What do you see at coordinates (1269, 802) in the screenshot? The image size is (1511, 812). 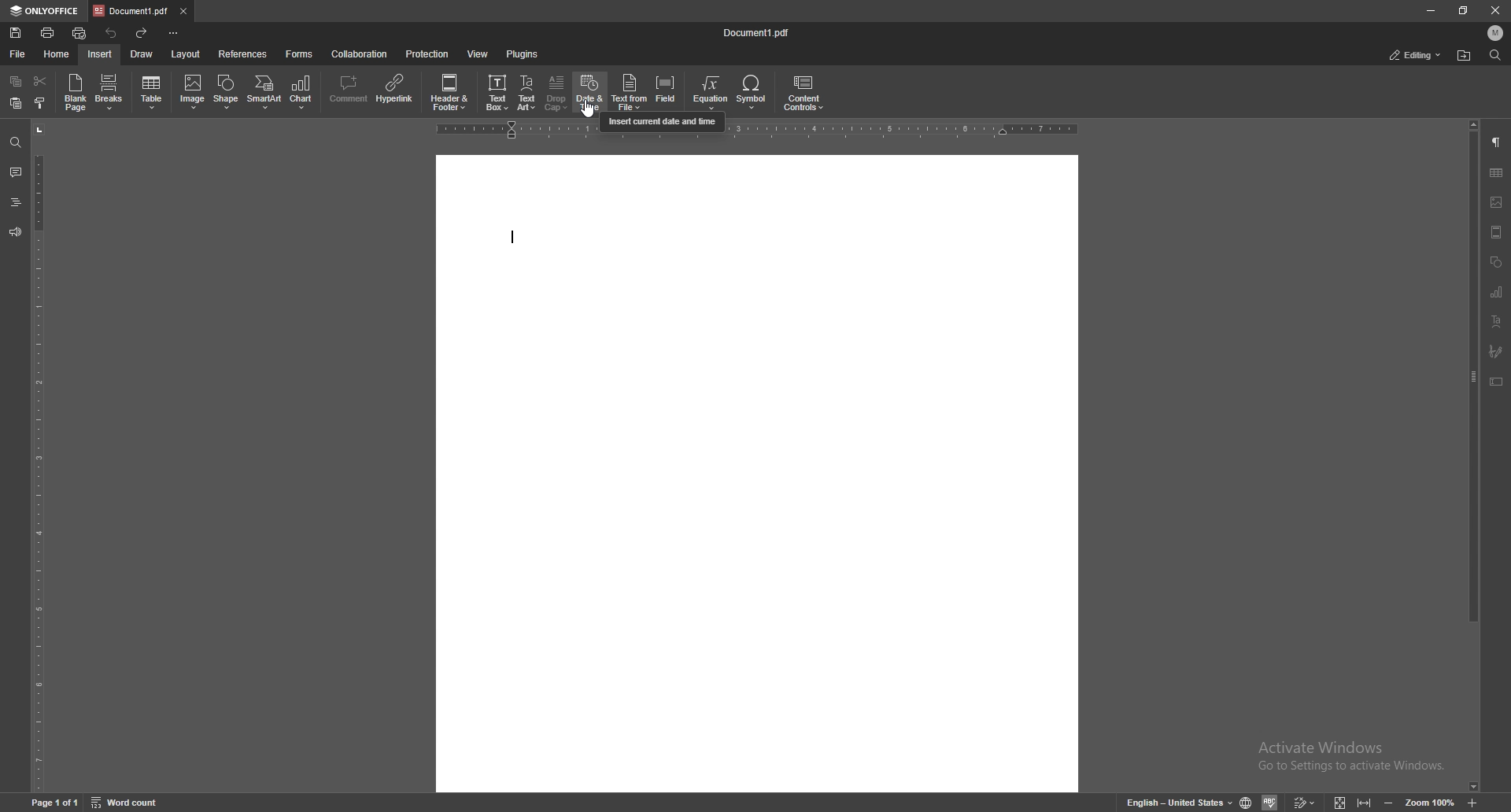 I see `spell check` at bounding box center [1269, 802].